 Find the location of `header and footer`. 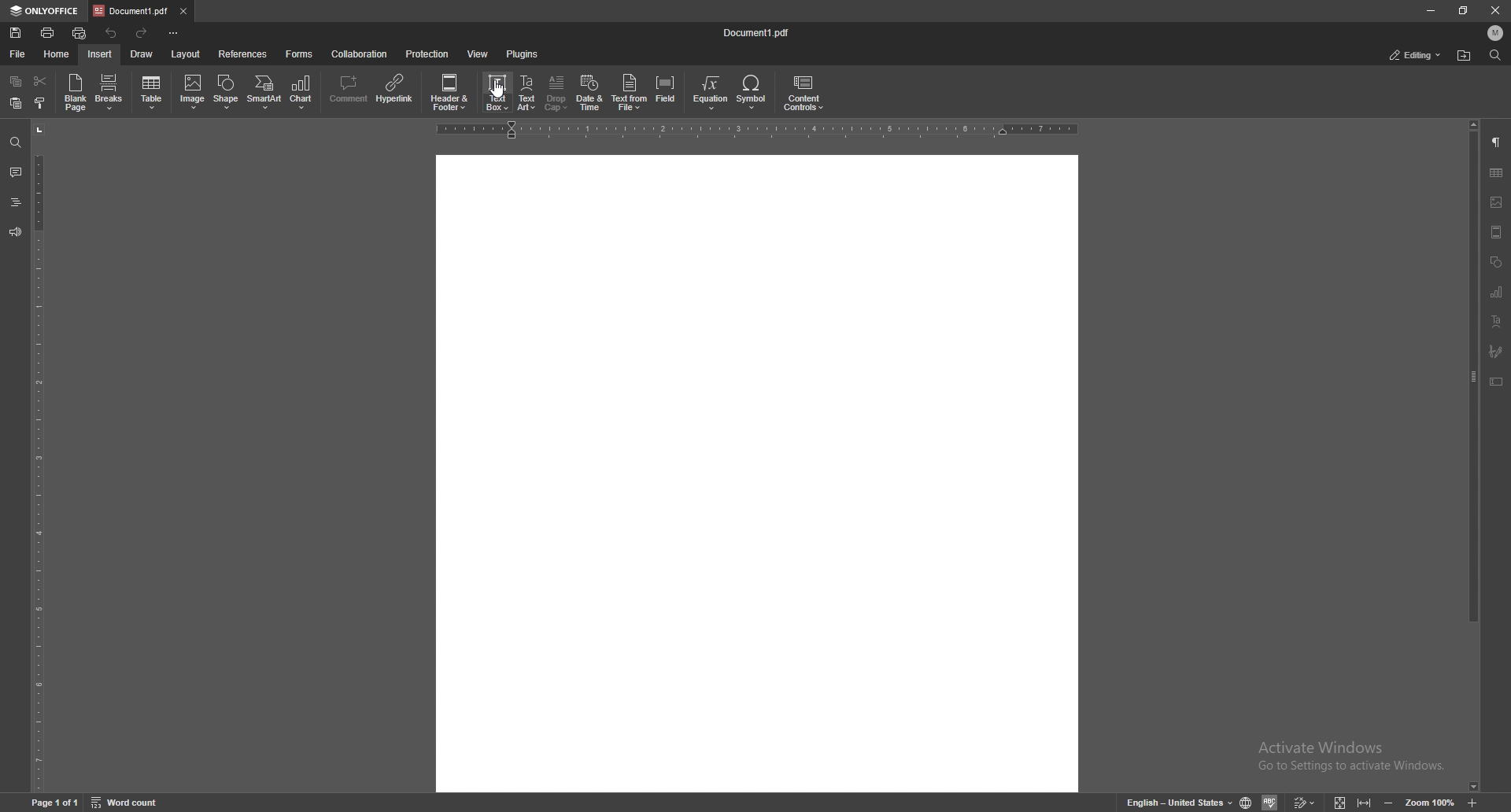

header and footer is located at coordinates (453, 91).